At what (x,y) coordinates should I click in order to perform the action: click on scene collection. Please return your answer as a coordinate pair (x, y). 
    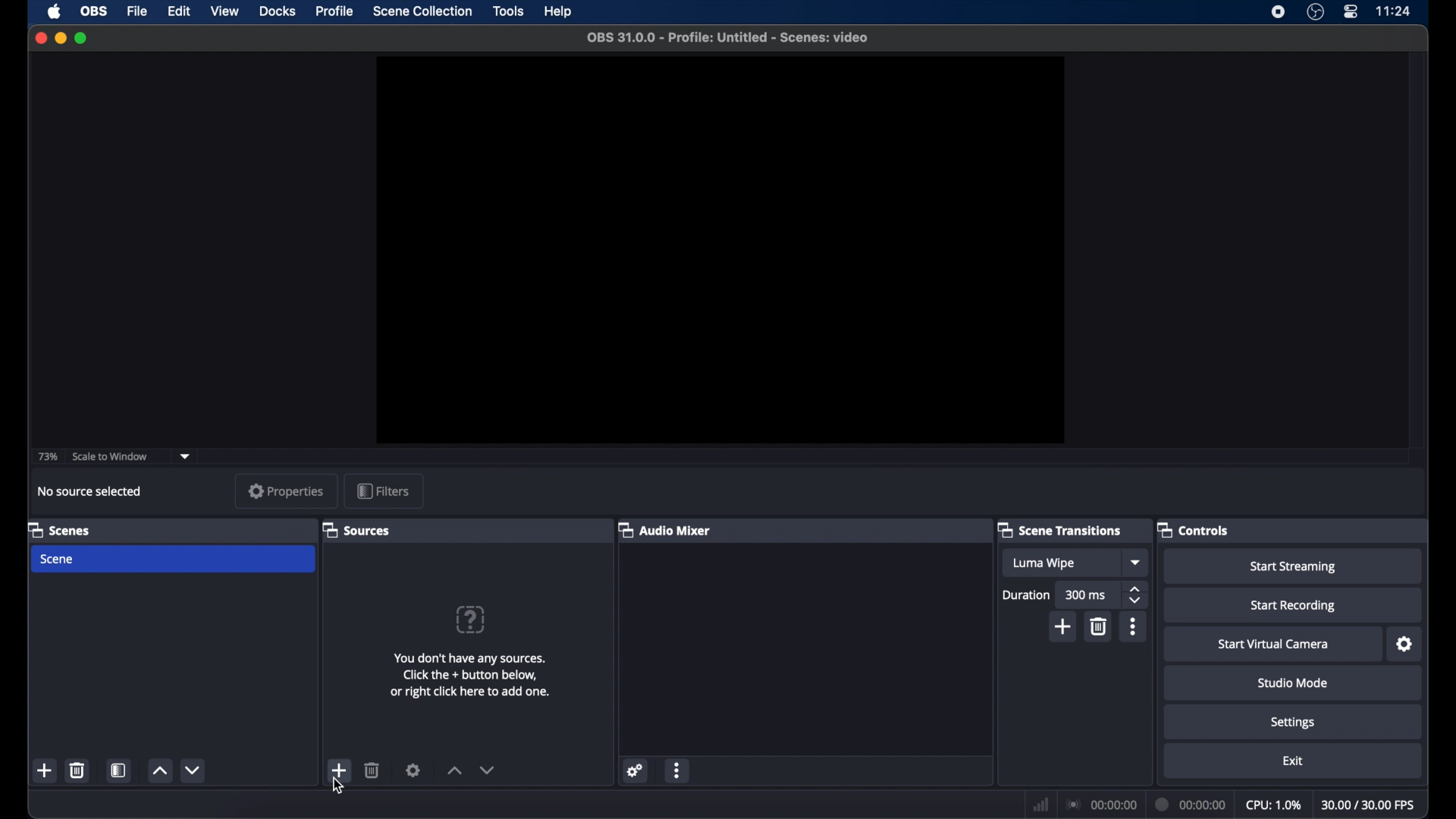
    Looking at the image, I should click on (422, 11).